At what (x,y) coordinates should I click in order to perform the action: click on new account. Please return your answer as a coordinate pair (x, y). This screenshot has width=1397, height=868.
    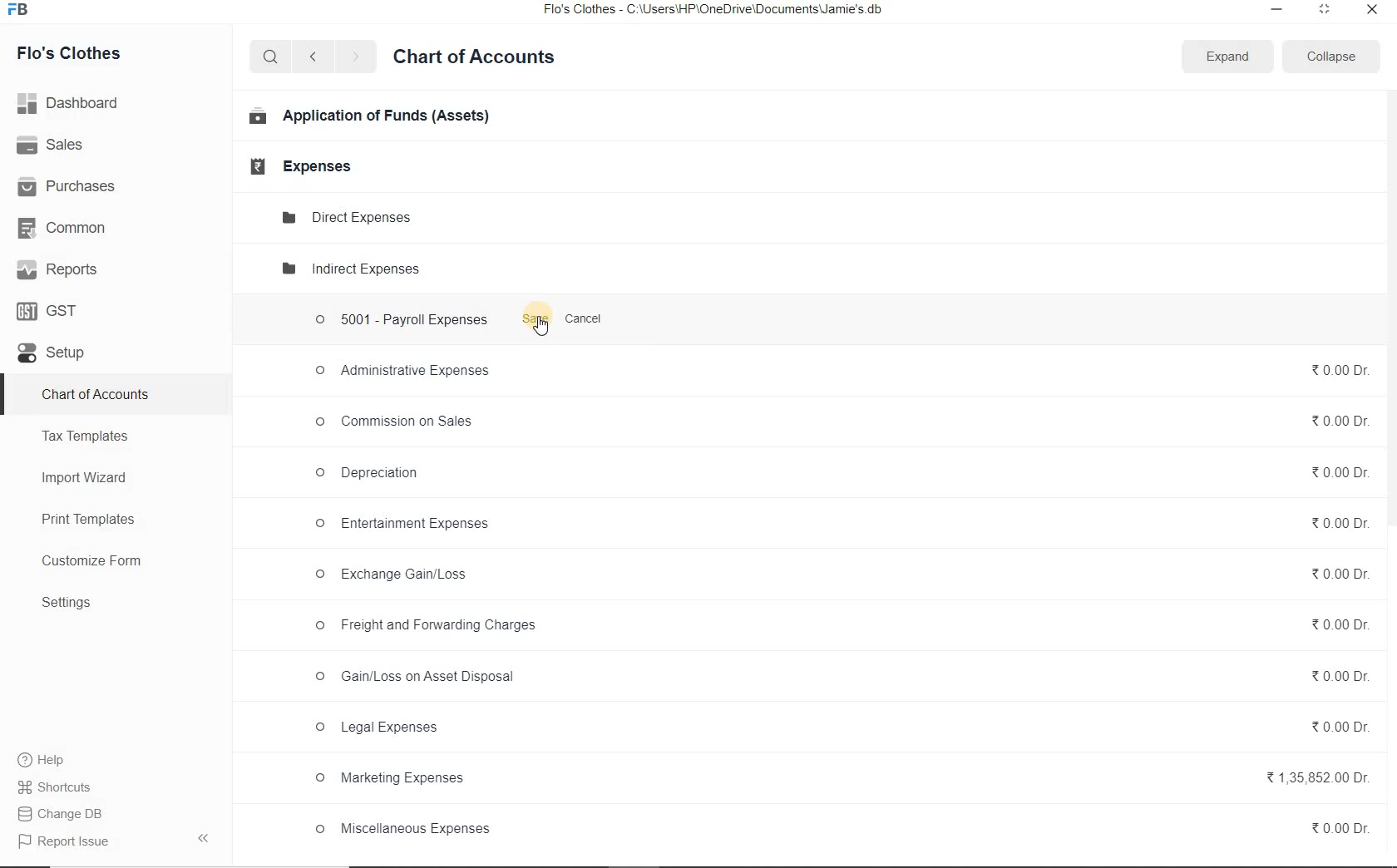
    Looking at the image, I should click on (542, 328).